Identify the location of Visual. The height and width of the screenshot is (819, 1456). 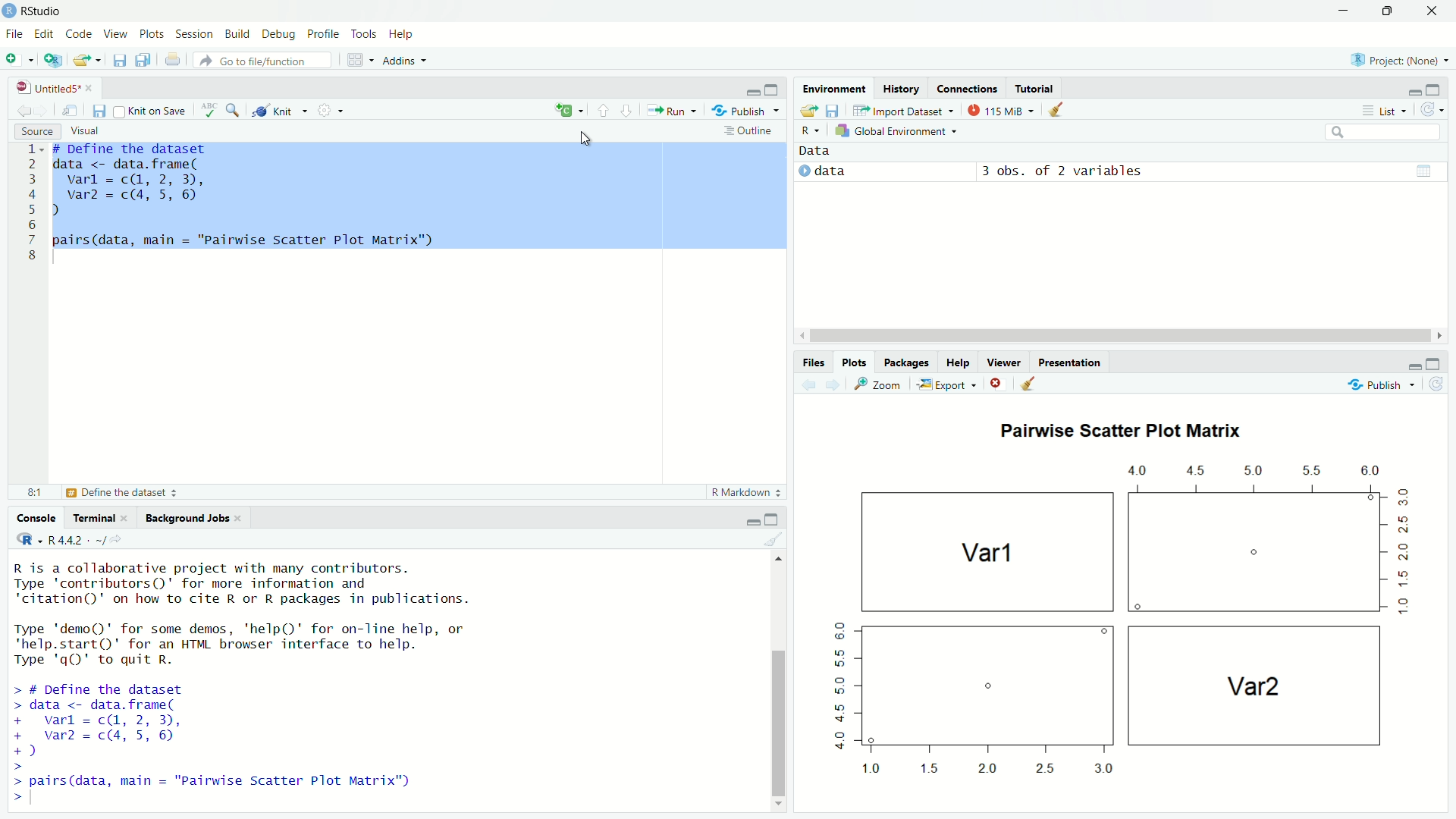
(89, 132).